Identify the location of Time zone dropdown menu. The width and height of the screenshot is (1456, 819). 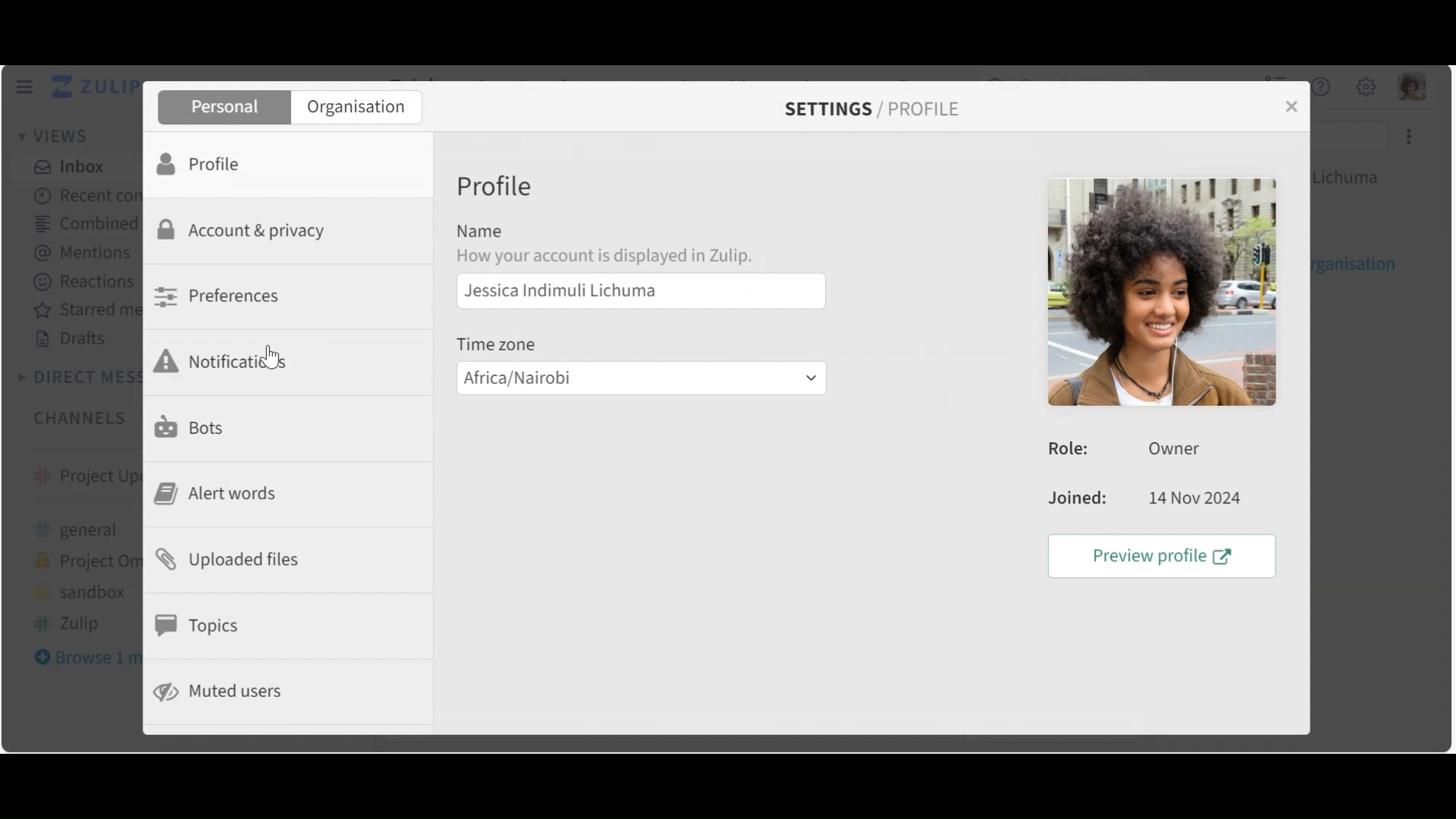
(640, 378).